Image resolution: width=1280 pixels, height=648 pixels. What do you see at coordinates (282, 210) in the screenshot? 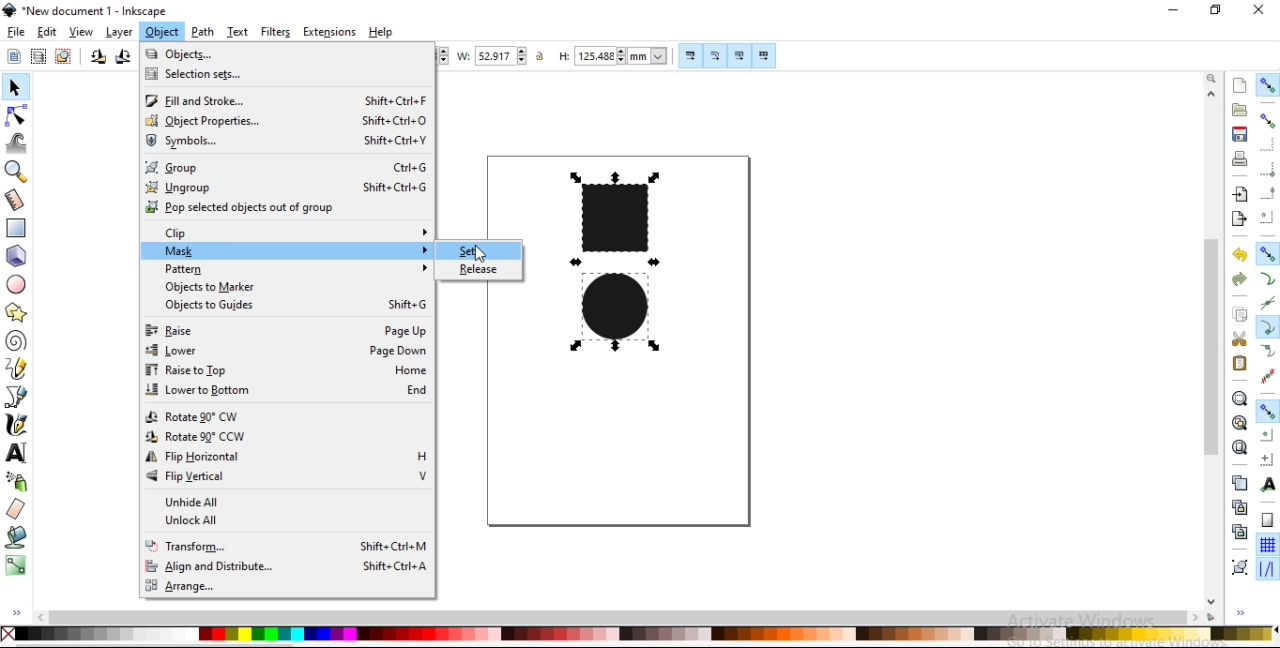
I see `prop selected objects out of group` at bounding box center [282, 210].